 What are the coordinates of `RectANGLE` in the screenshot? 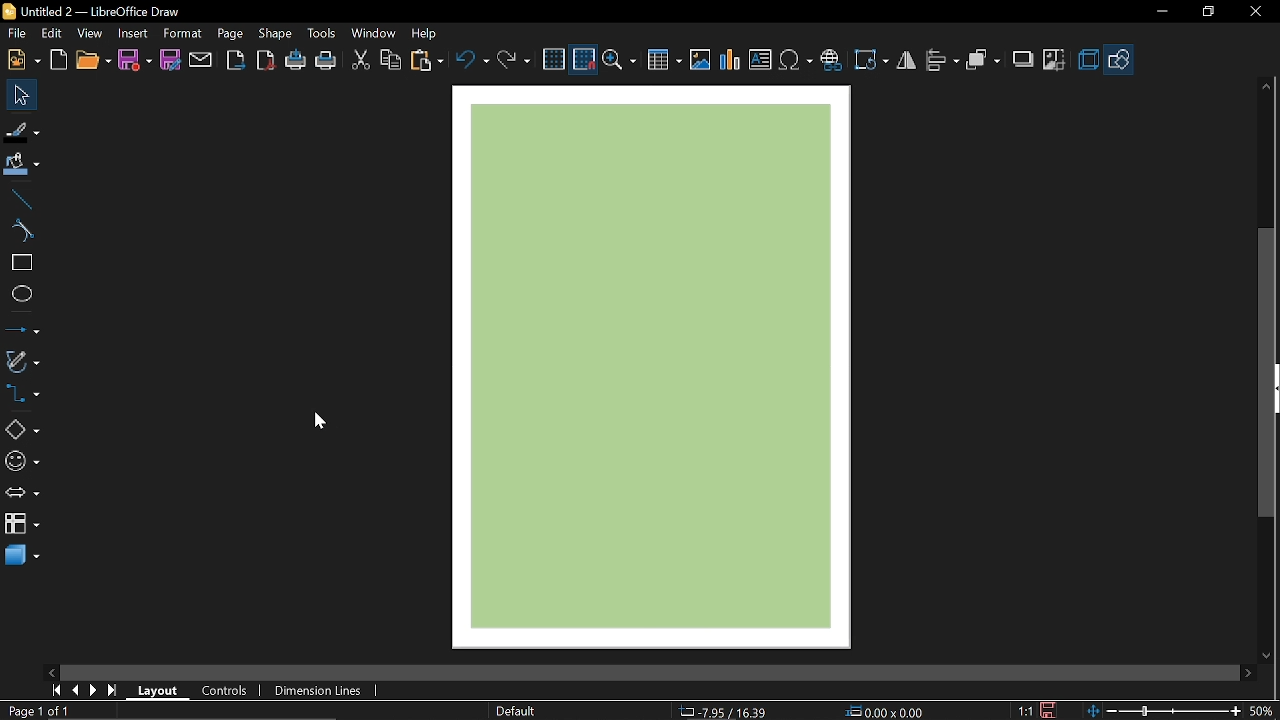 It's located at (19, 263).